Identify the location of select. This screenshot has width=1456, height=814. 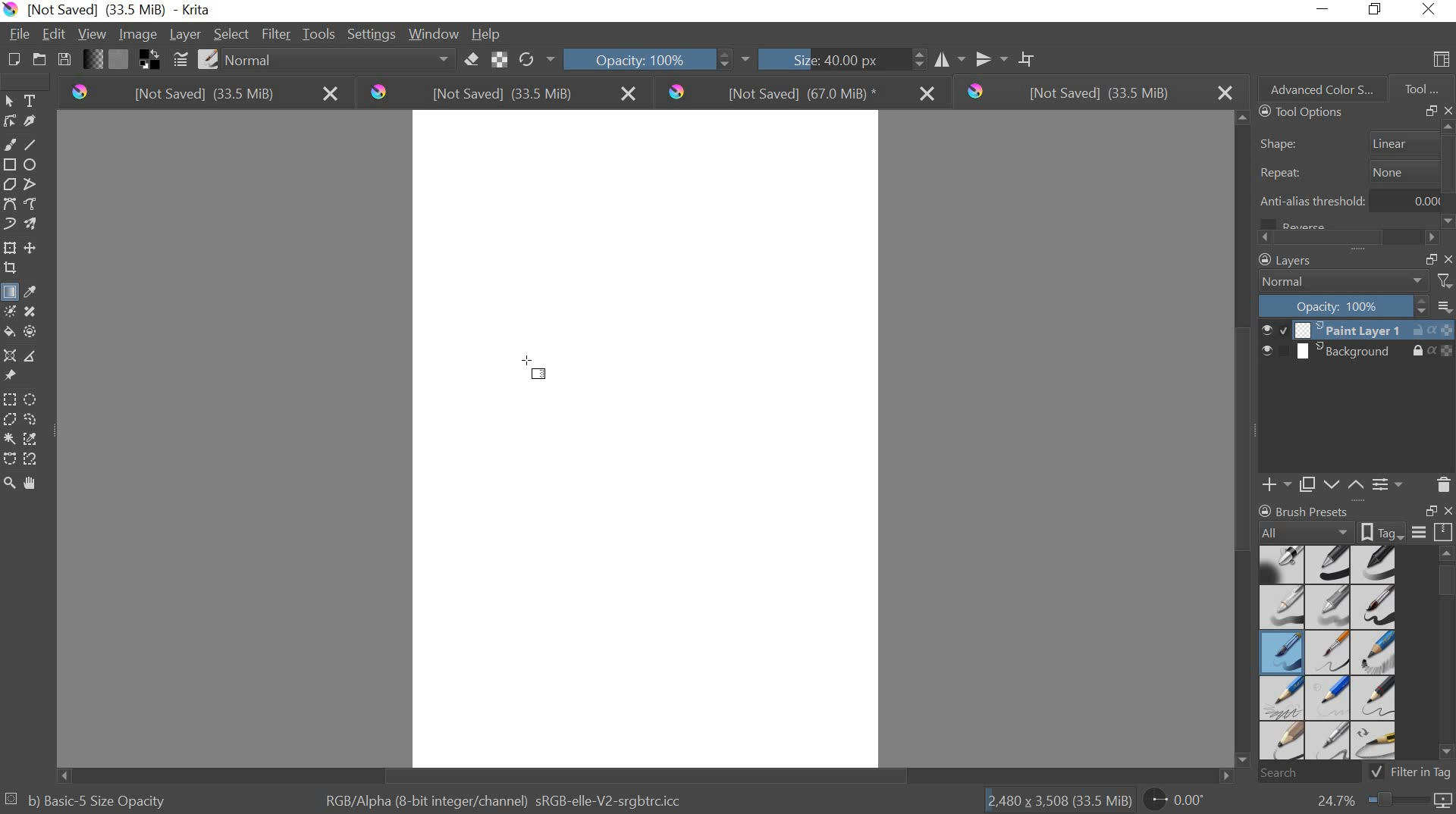
(12, 102).